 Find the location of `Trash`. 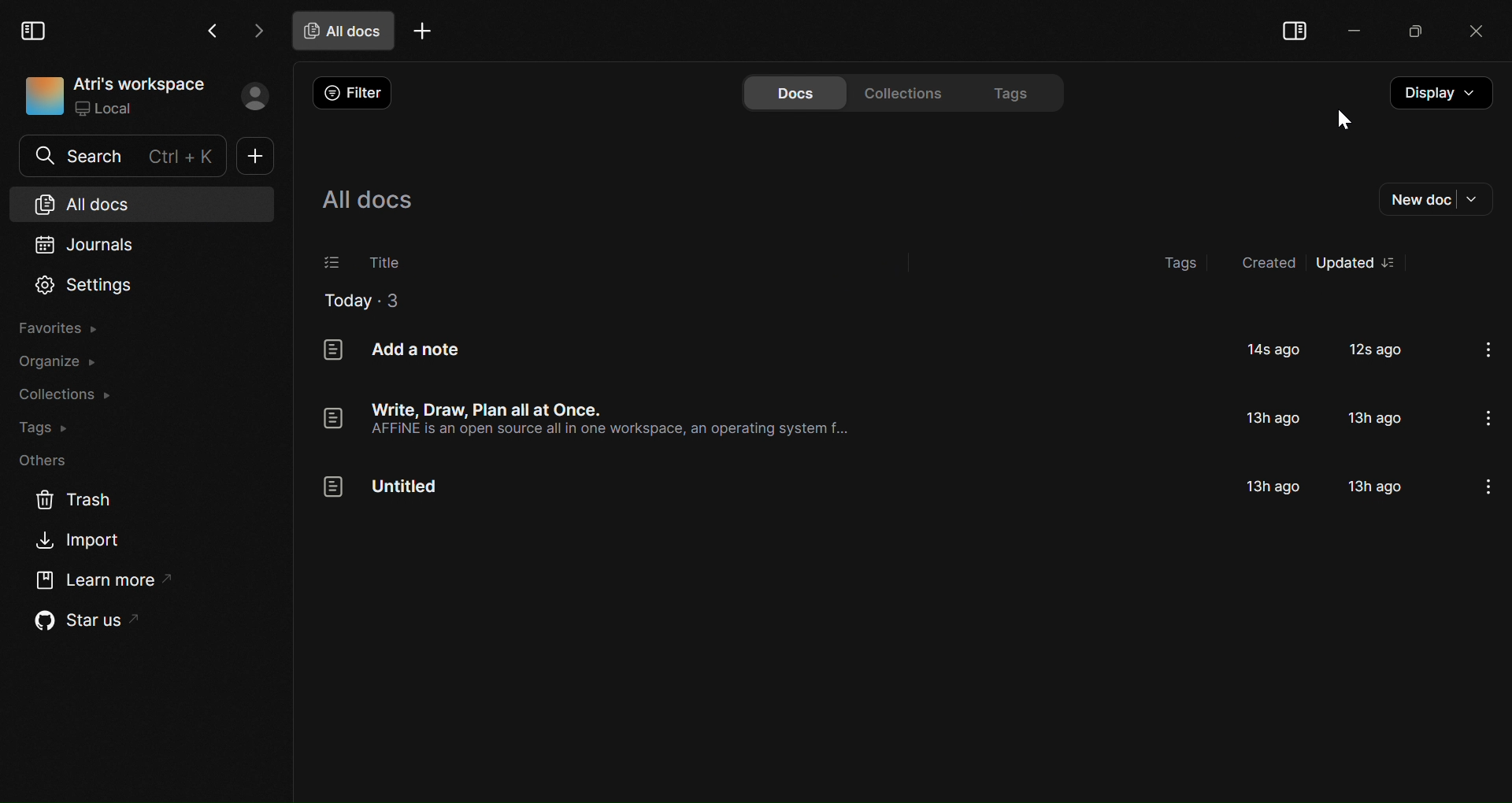

Trash is located at coordinates (67, 502).